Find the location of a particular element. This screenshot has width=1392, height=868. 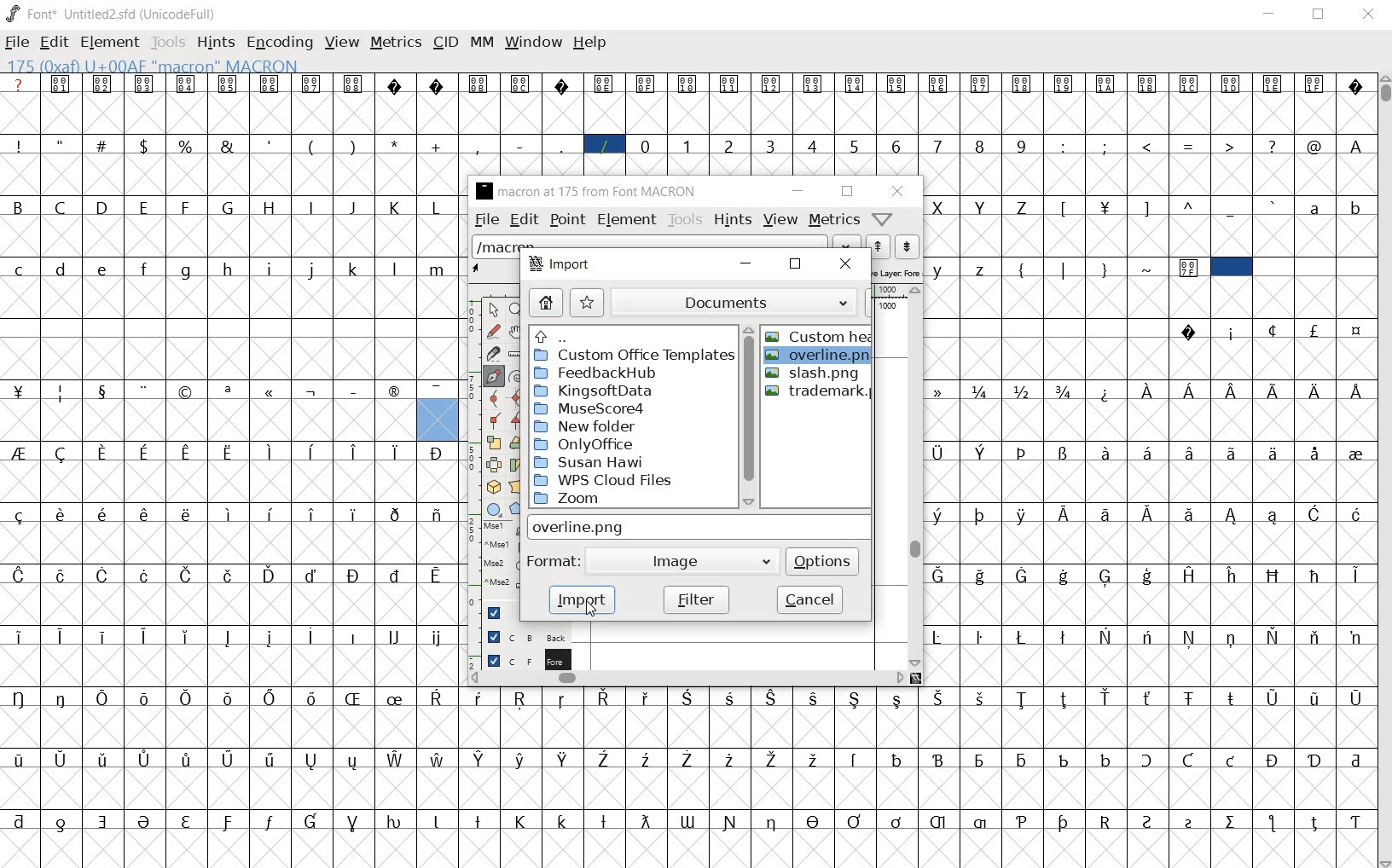

Symbol is located at coordinates (229, 514).